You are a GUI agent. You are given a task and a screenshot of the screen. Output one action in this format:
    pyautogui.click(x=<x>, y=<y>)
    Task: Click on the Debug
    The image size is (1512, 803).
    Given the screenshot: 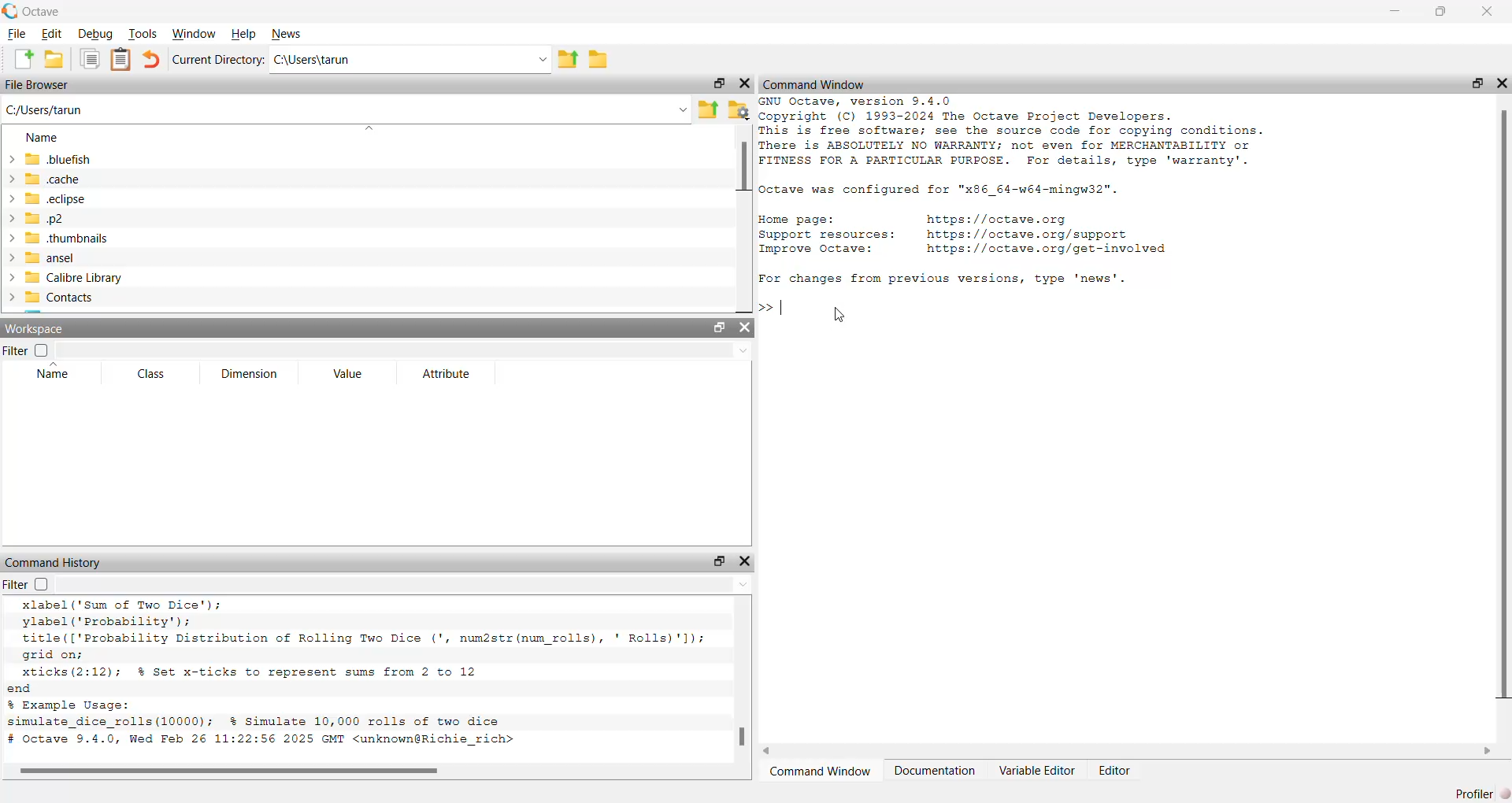 What is the action you would take?
    pyautogui.click(x=95, y=34)
    